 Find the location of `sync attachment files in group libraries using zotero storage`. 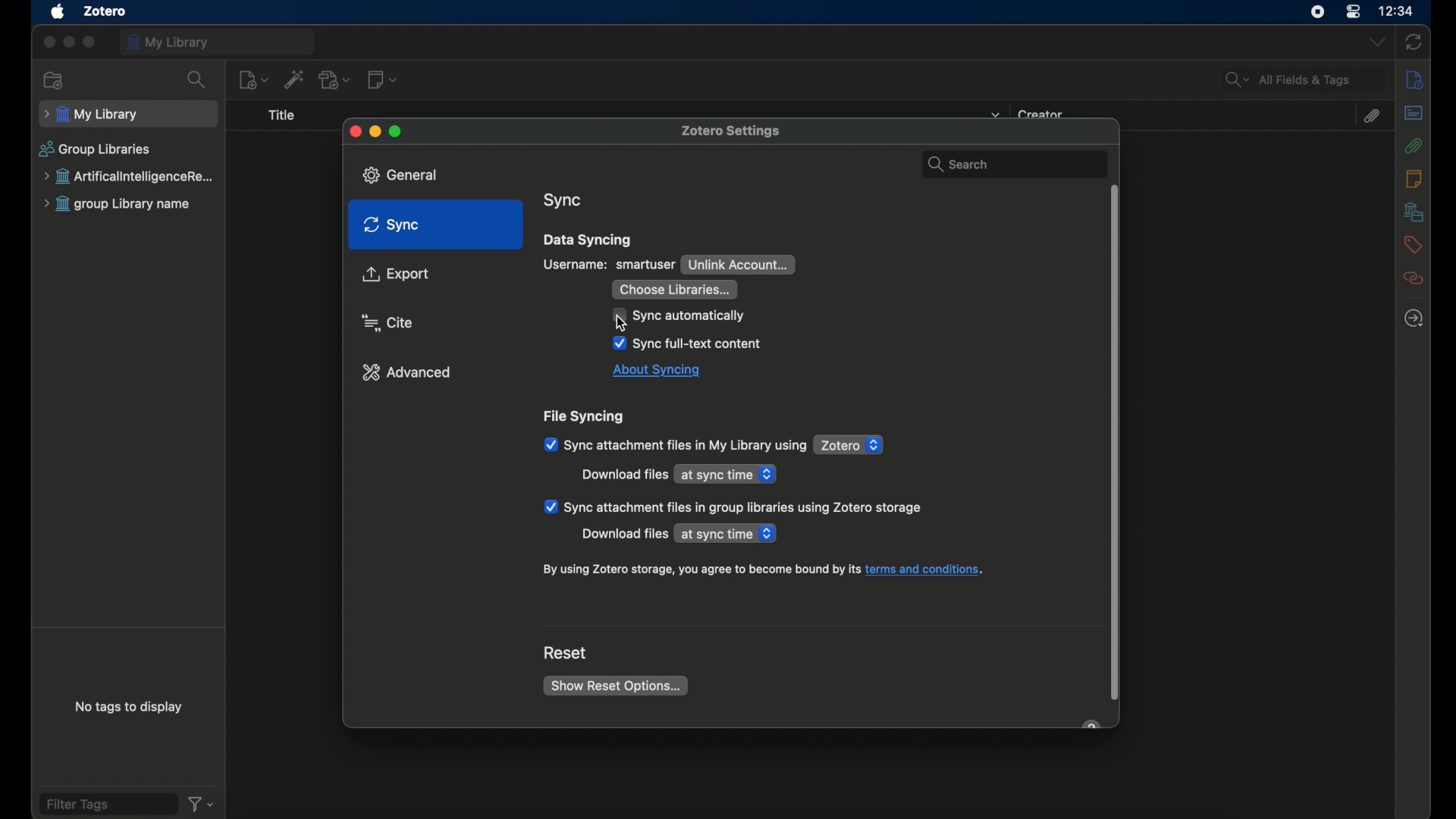

sync attachment files in group libraries using zotero storage is located at coordinates (733, 507).